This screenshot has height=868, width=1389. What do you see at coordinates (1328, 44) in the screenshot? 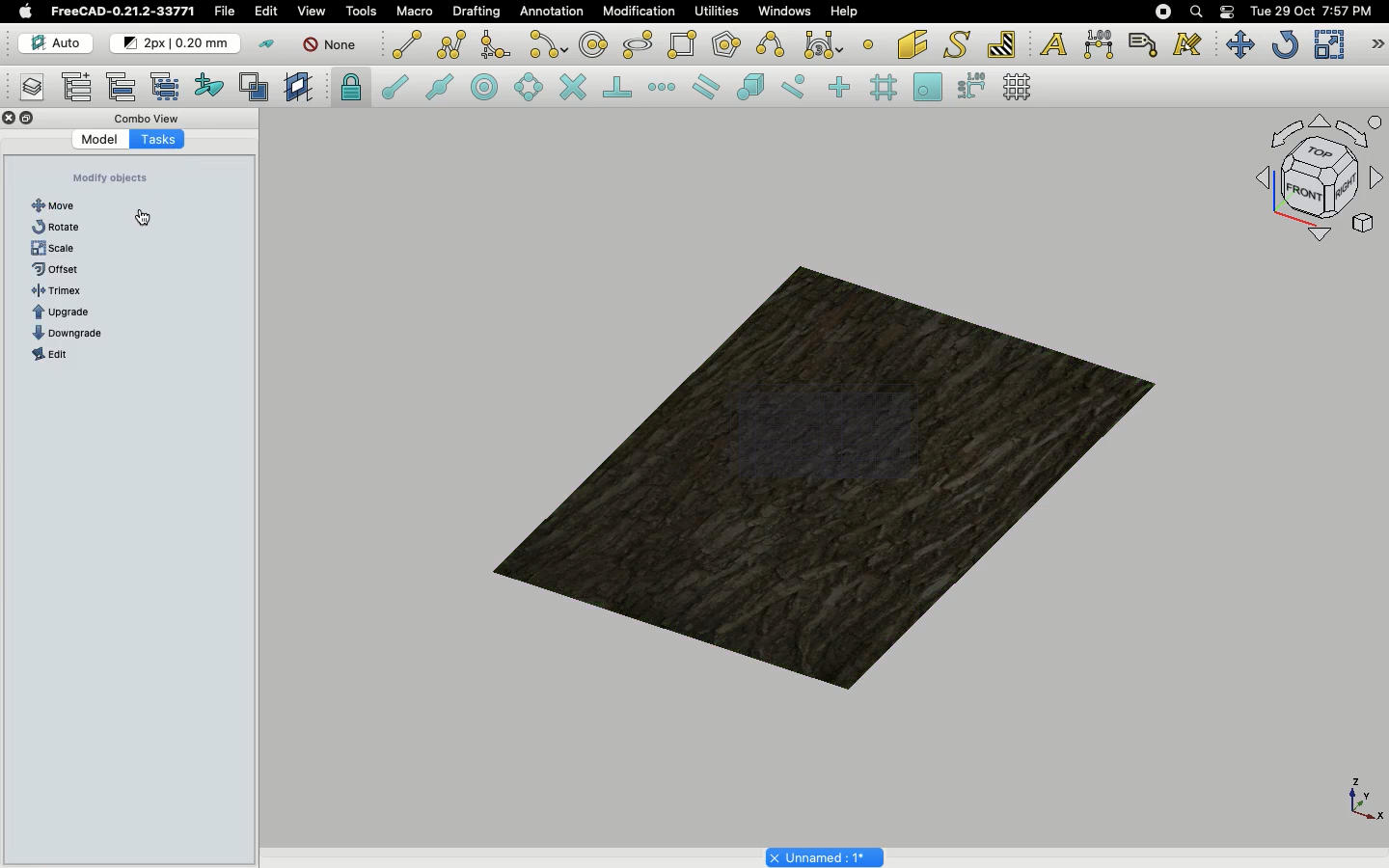
I see `Scale` at bounding box center [1328, 44].